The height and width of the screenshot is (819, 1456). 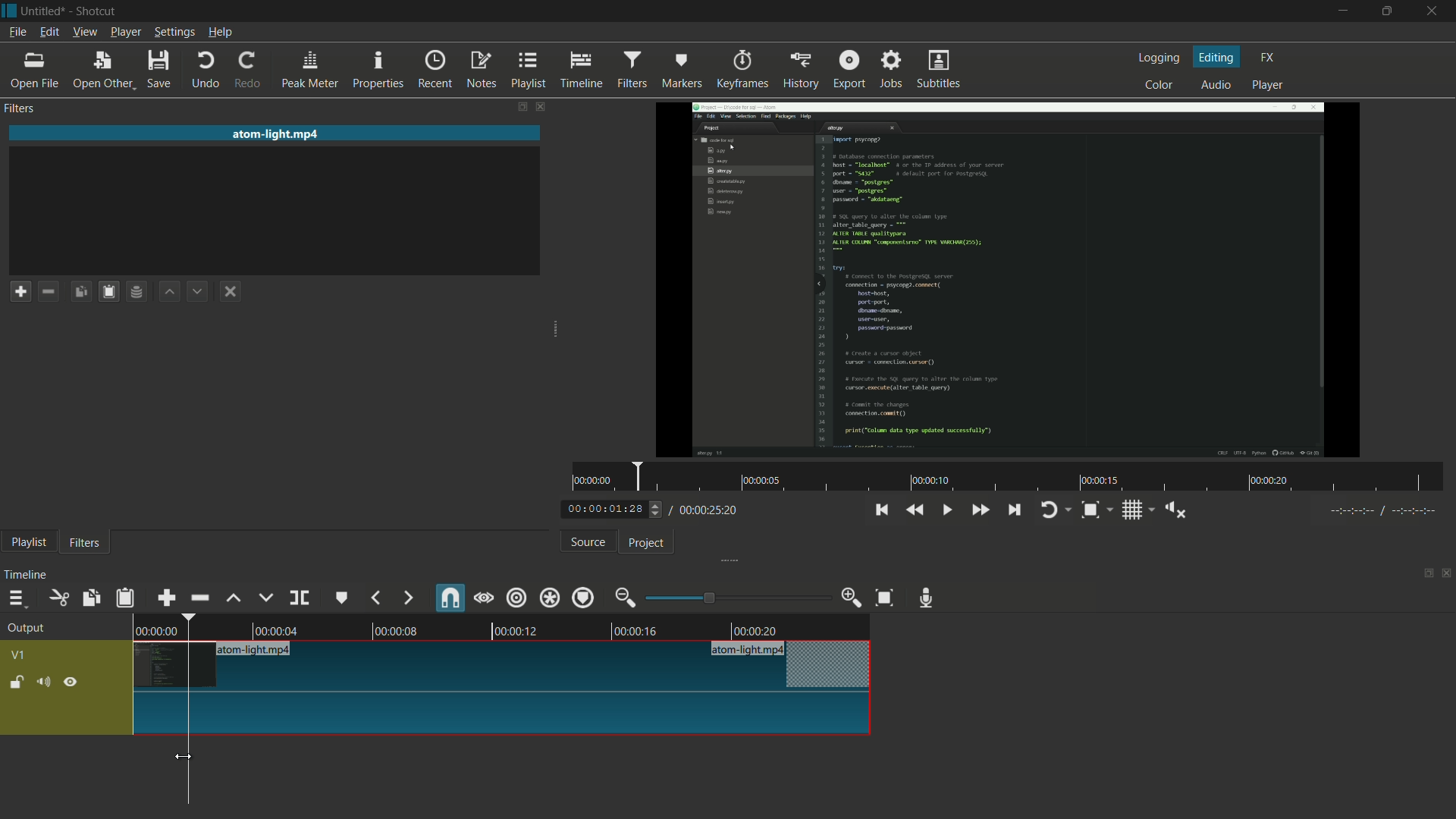 I want to click on time, so click(x=1009, y=477).